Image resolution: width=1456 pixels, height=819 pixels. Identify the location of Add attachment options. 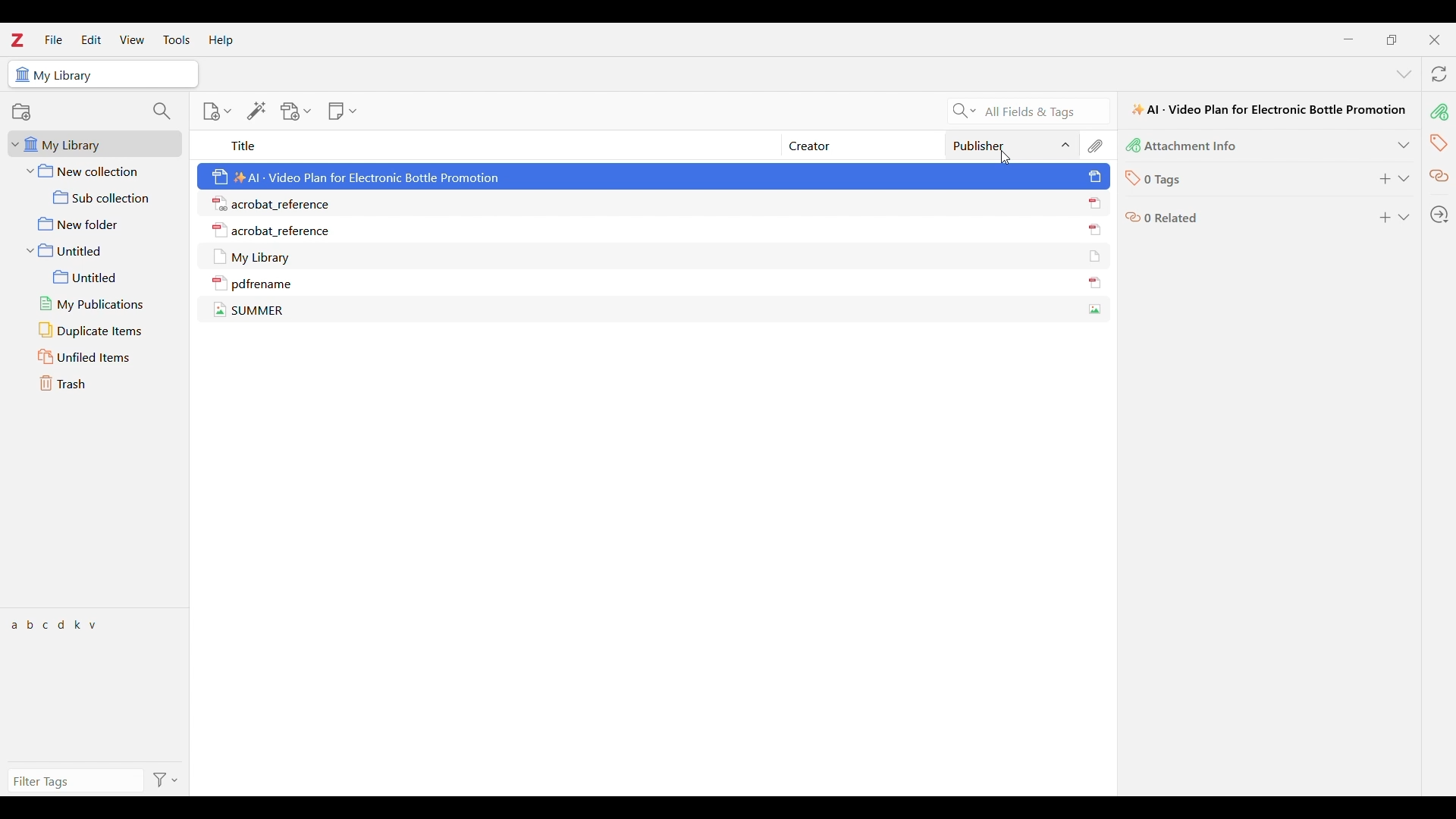
(296, 111).